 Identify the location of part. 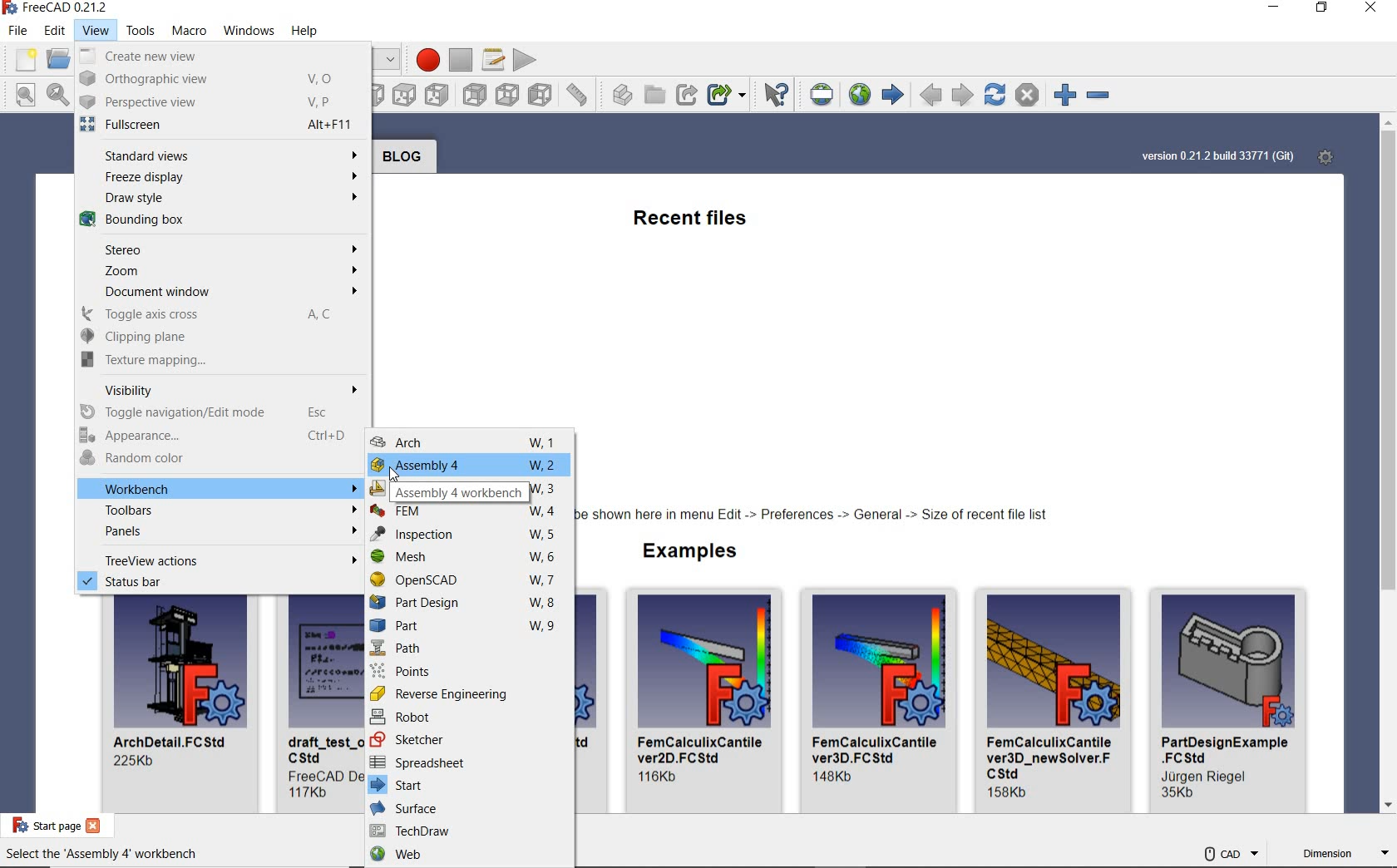
(468, 627).